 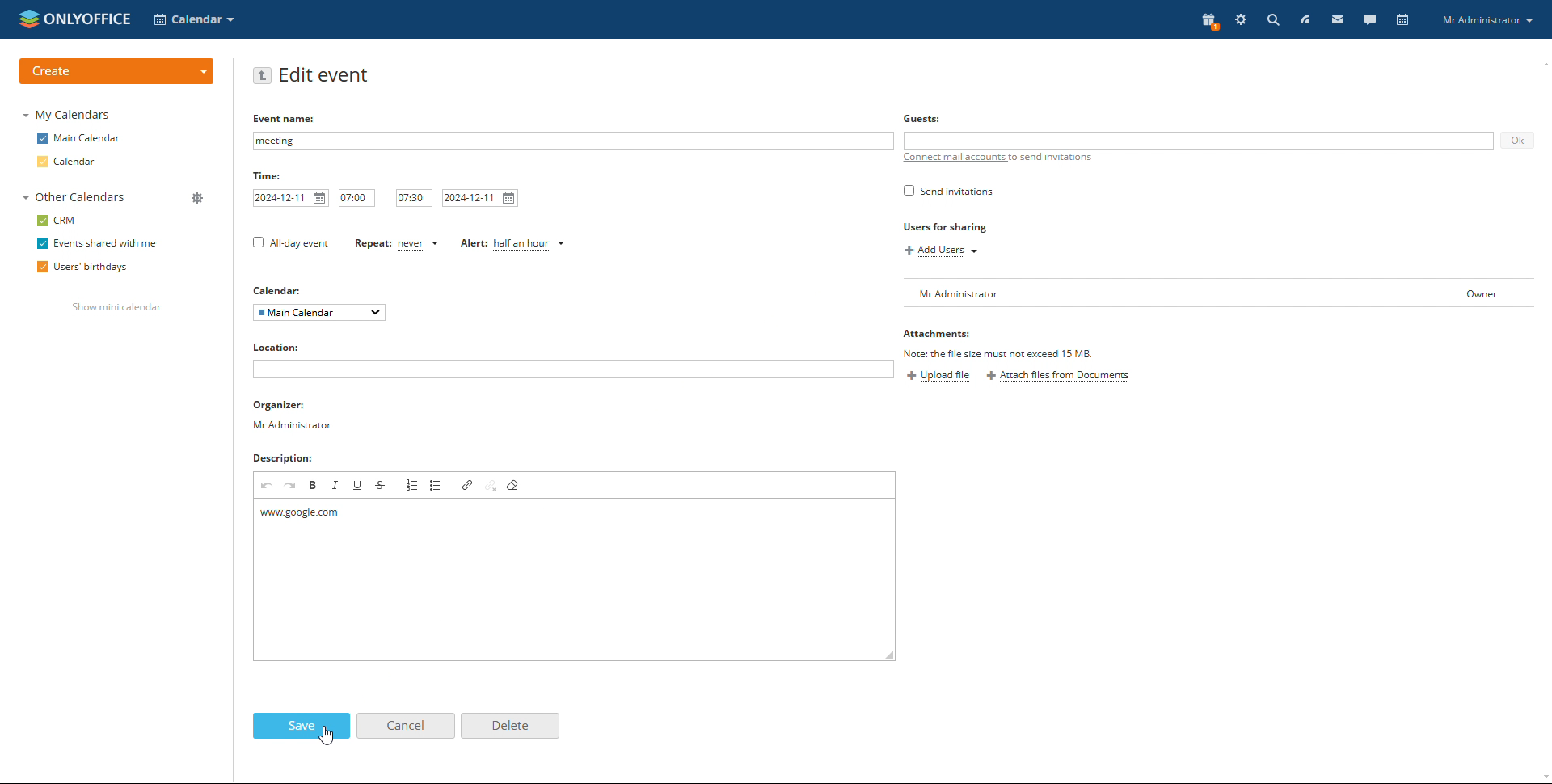 What do you see at coordinates (1518, 141) in the screenshot?
I see `ok` at bounding box center [1518, 141].